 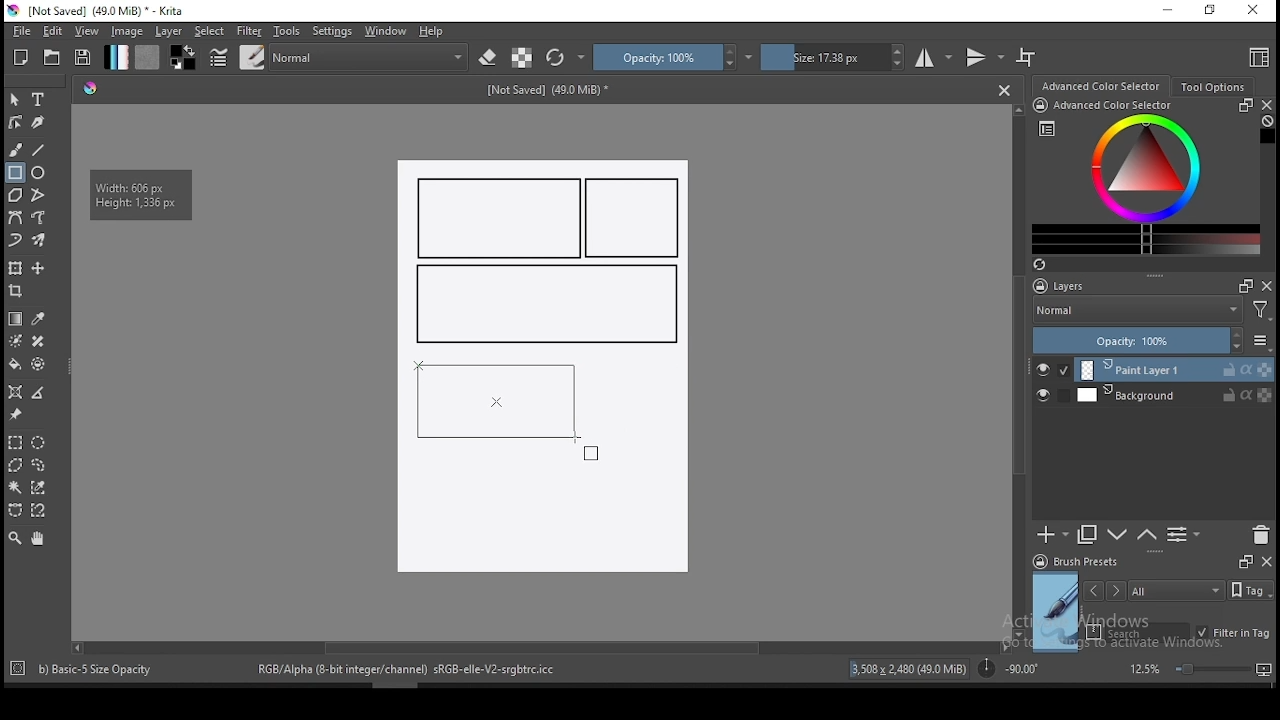 What do you see at coordinates (1255, 11) in the screenshot?
I see ` close window` at bounding box center [1255, 11].